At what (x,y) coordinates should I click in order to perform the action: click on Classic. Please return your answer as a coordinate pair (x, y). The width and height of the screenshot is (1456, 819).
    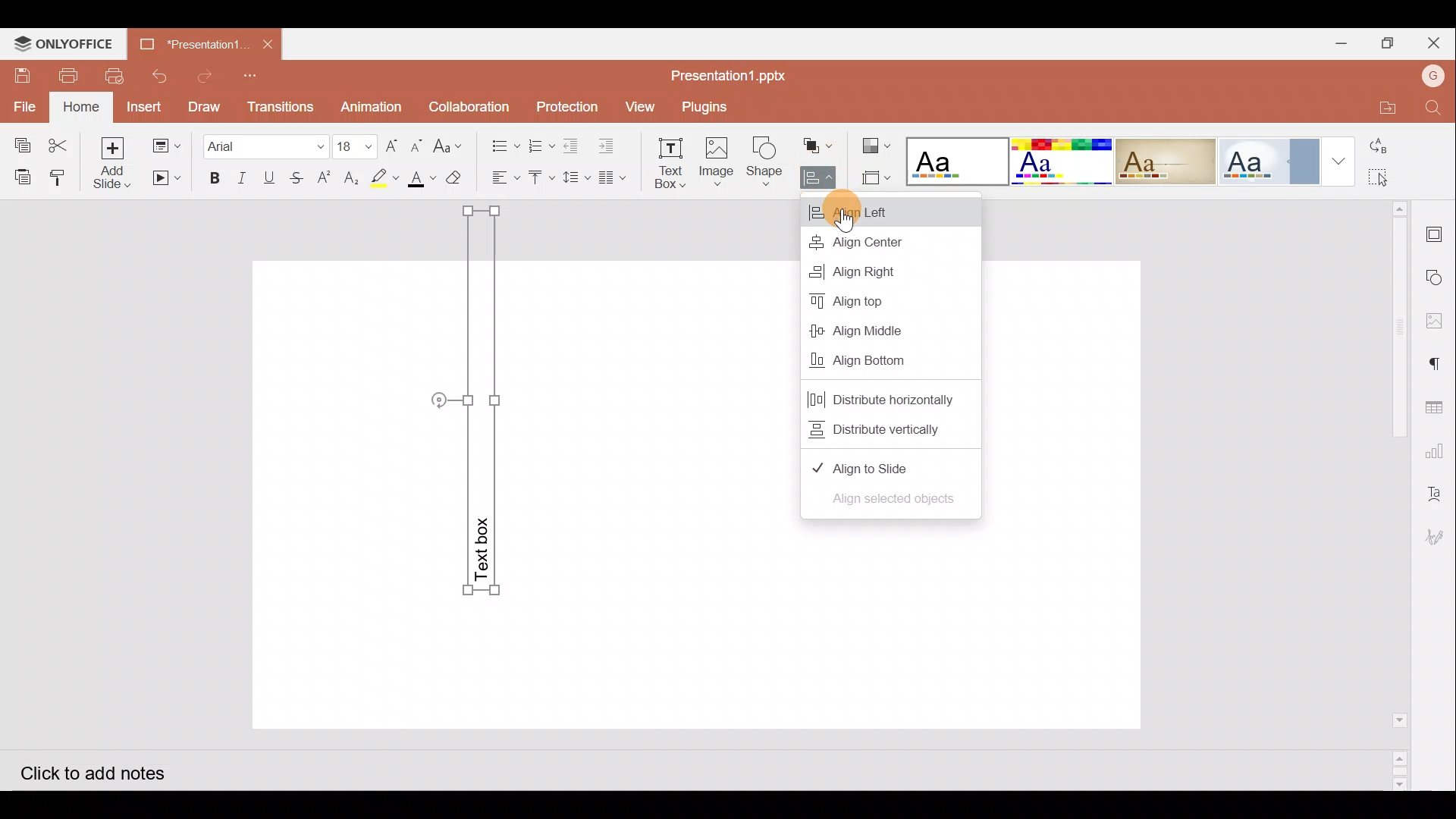
    Looking at the image, I should click on (1165, 158).